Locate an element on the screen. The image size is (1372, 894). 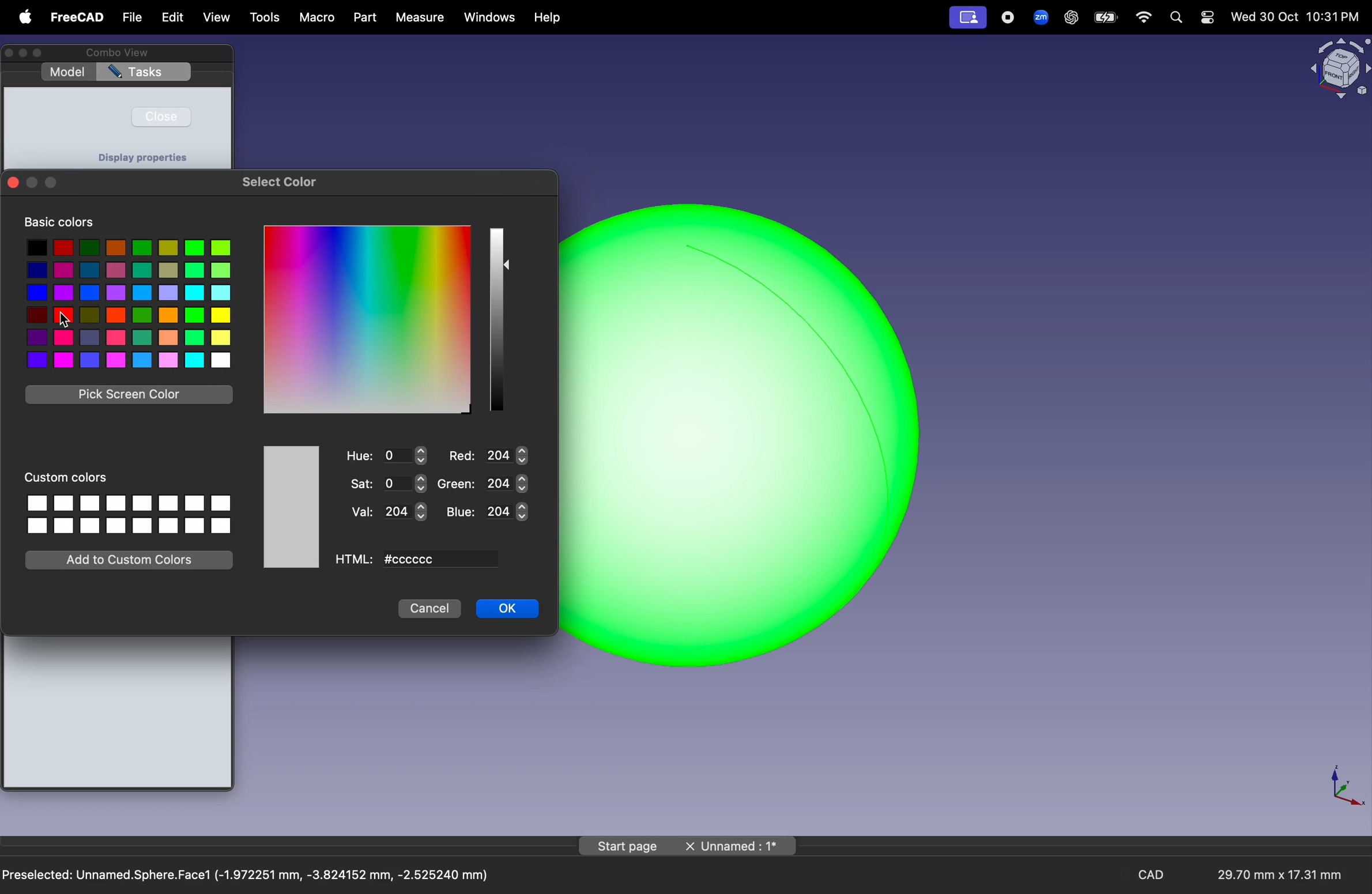
Enter full screen is located at coordinates (42, 54).